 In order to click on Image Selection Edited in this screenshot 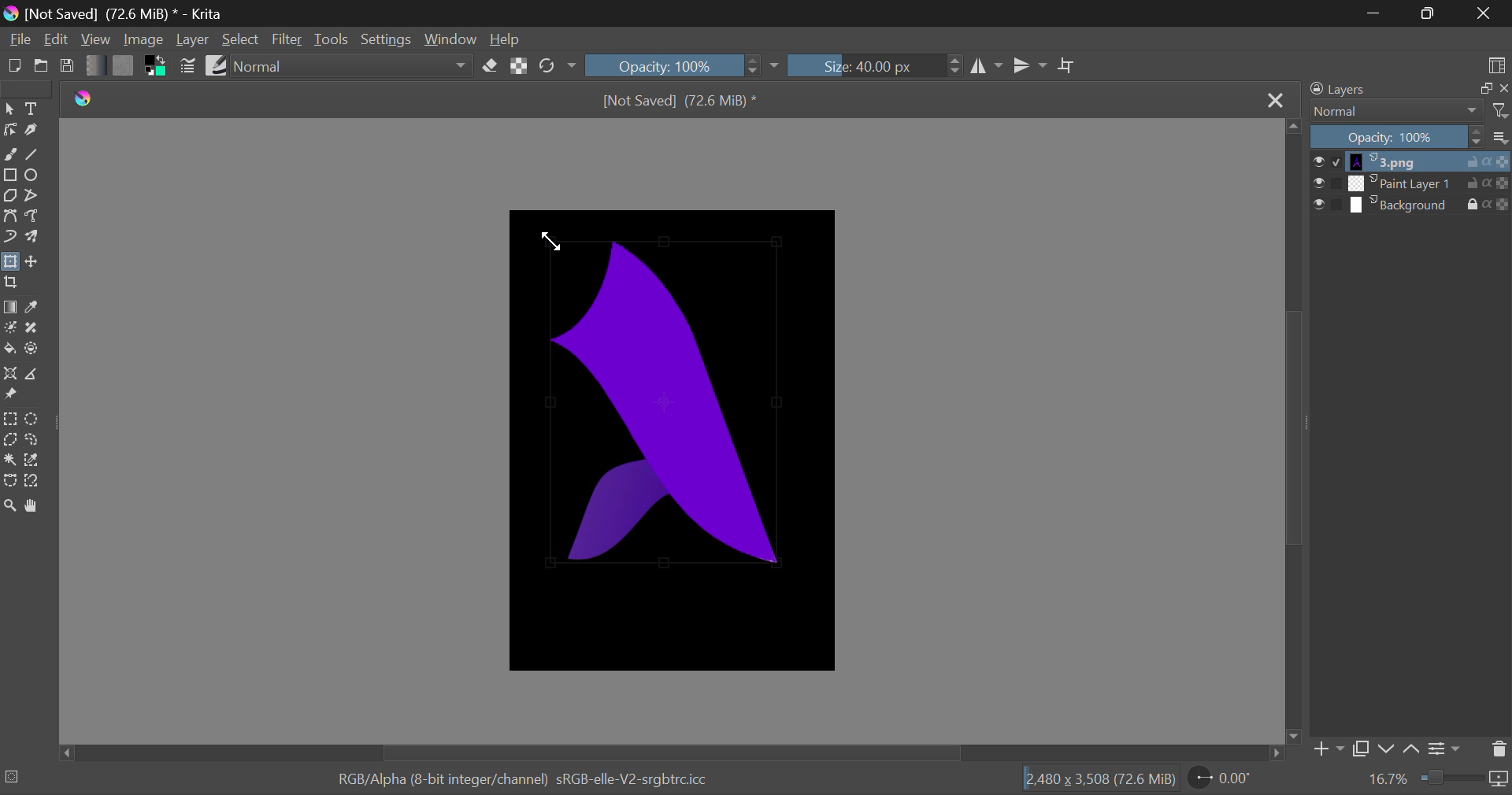, I will do `click(675, 404)`.